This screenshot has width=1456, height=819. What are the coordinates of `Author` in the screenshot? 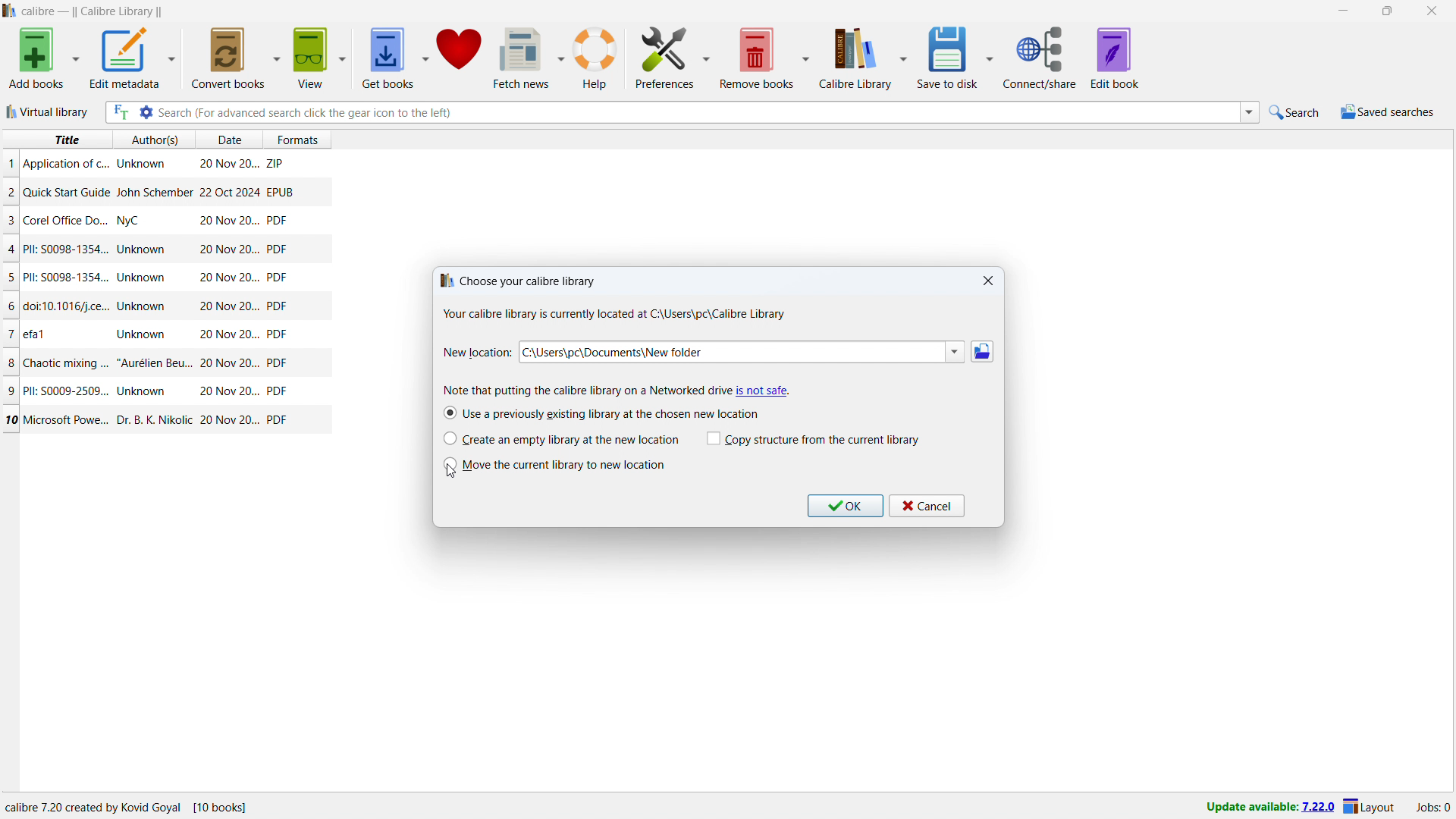 It's located at (144, 391).